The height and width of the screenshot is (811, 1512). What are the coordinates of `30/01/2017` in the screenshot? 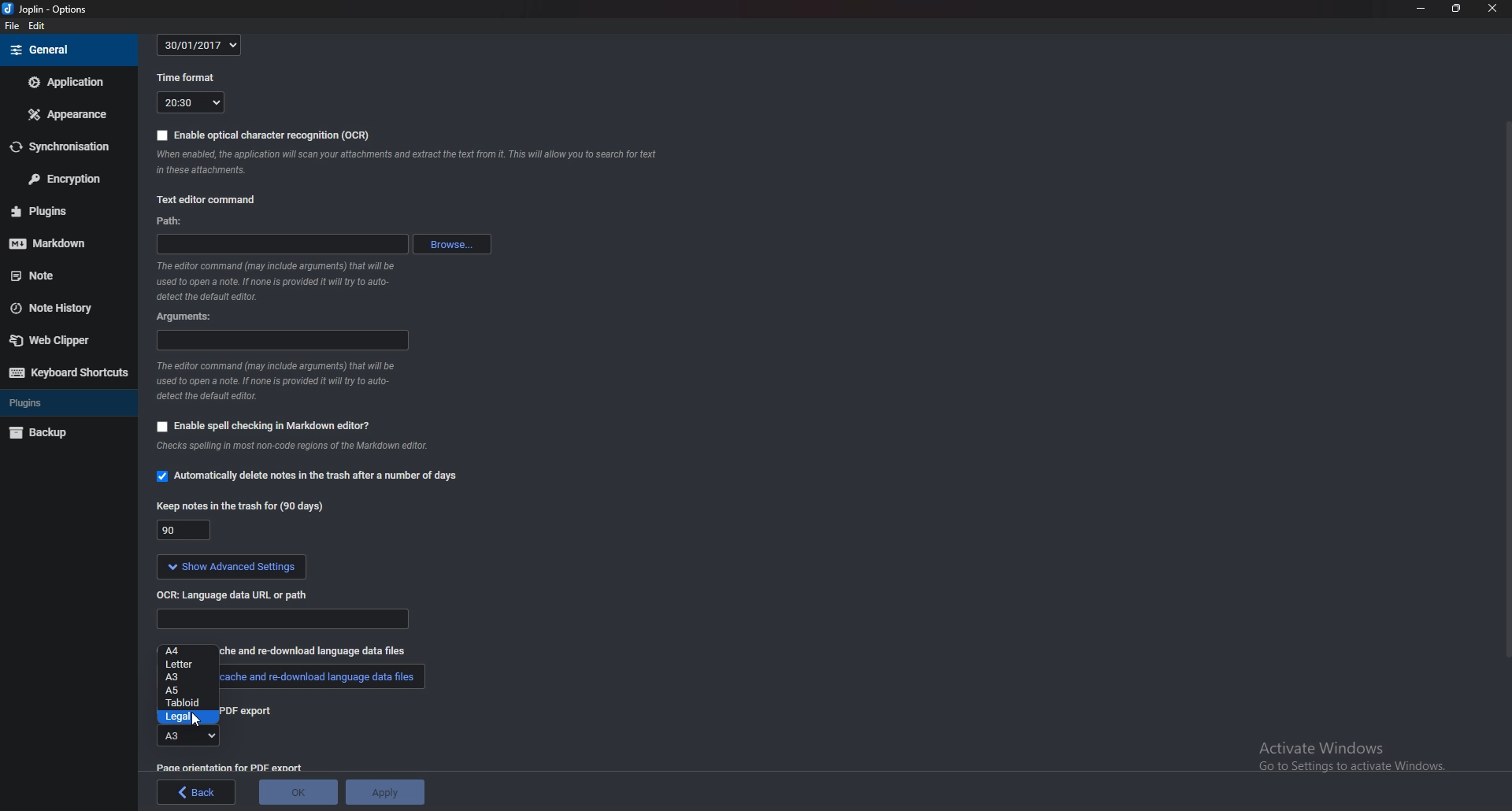 It's located at (202, 43).